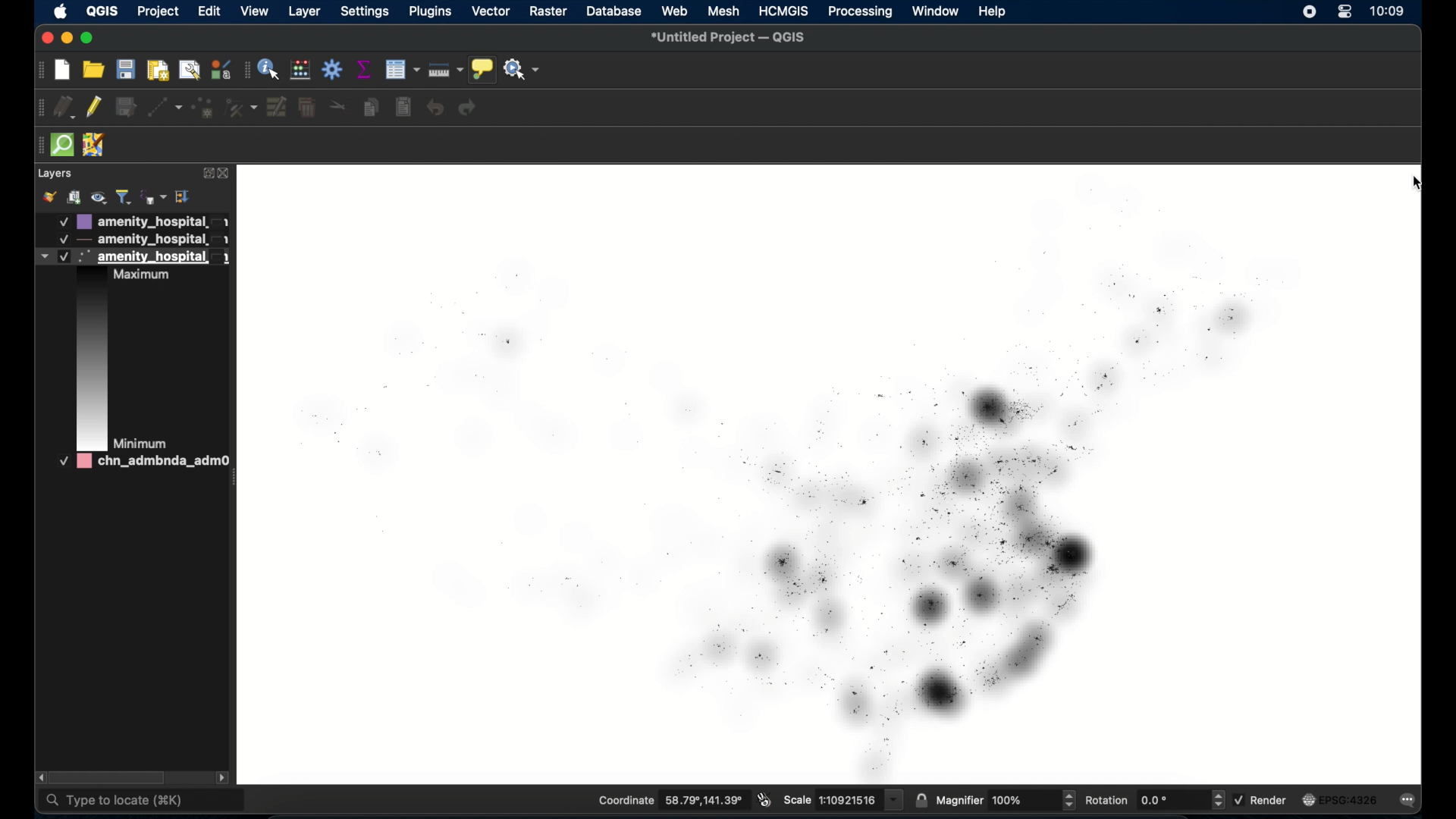 The image size is (1456, 819). I want to click on open field calculator, so click(300, 69).